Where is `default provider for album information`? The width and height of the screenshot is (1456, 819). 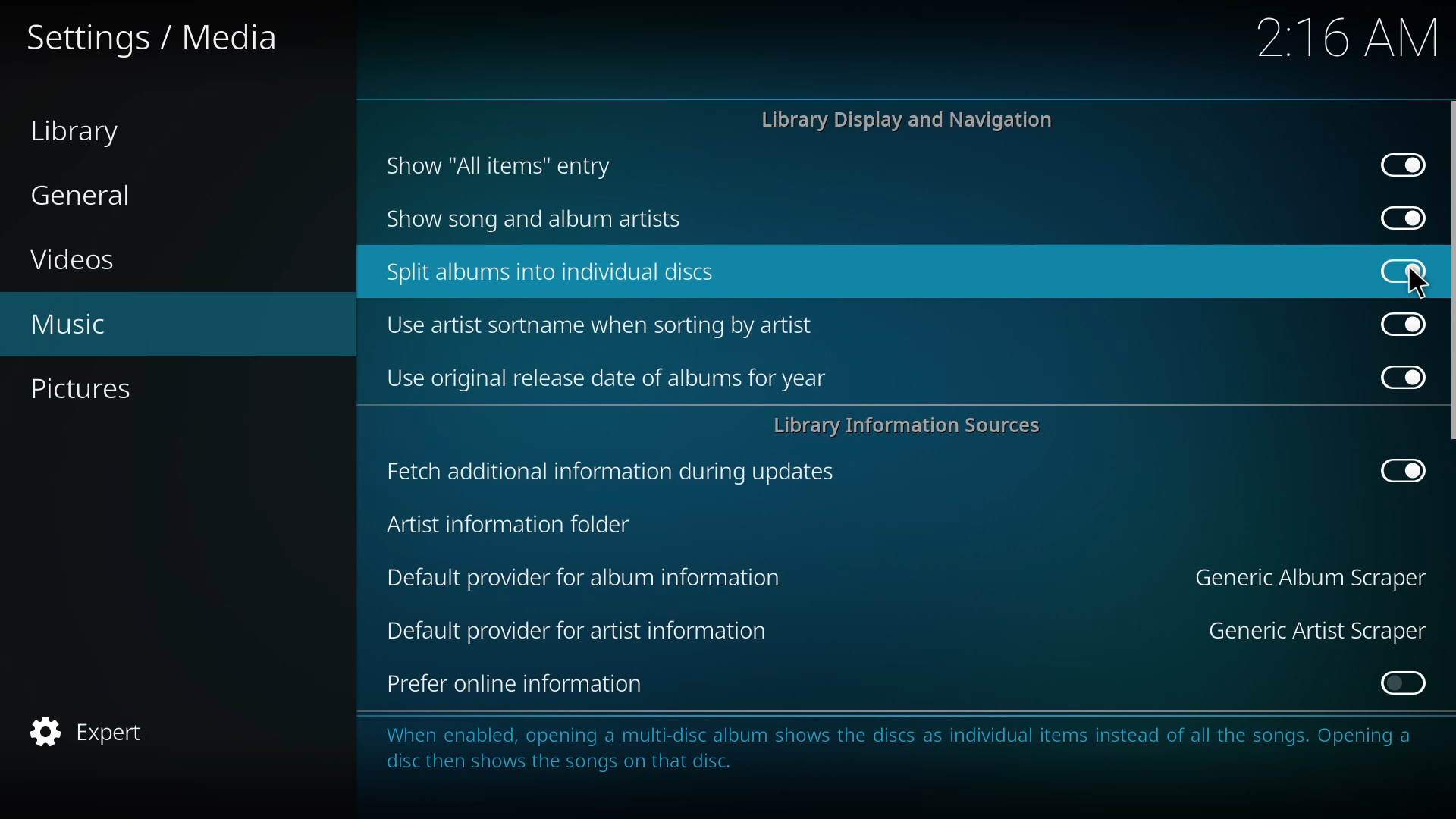 default provider for album information is located at coordinates (585, 577).